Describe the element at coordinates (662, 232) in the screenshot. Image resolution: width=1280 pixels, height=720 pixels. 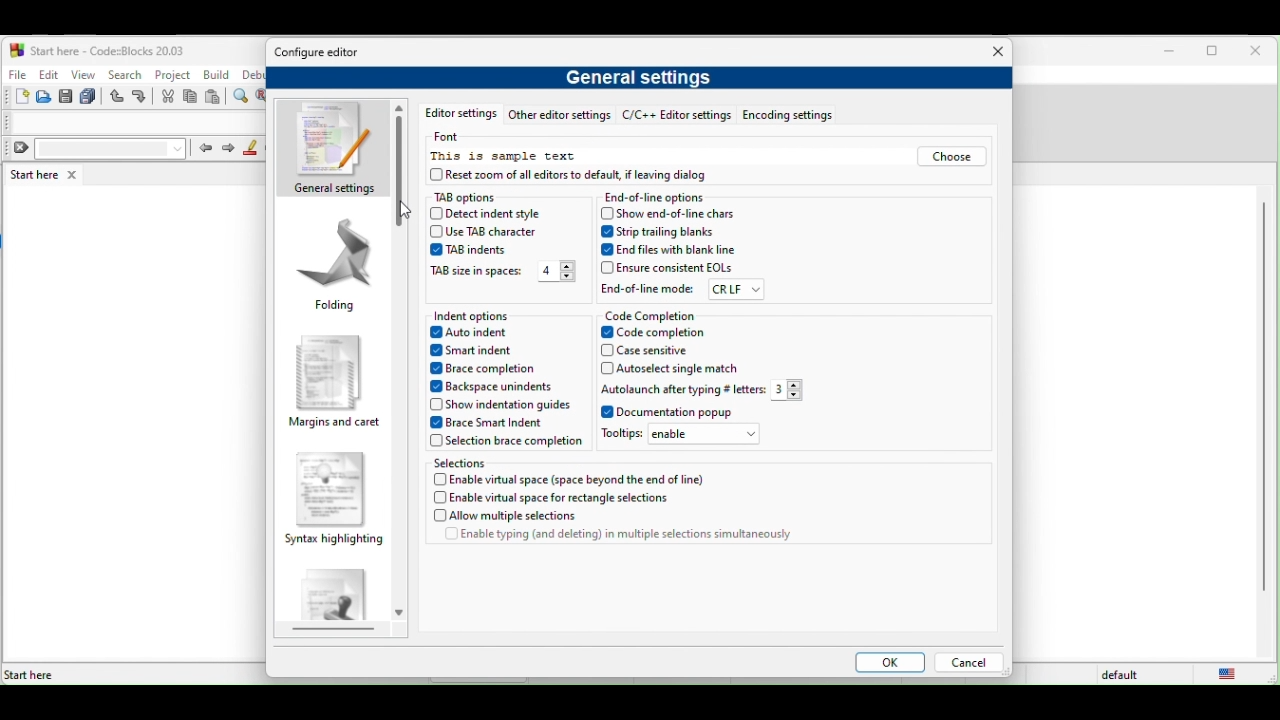
I see `strip trailing blanks` at that location.